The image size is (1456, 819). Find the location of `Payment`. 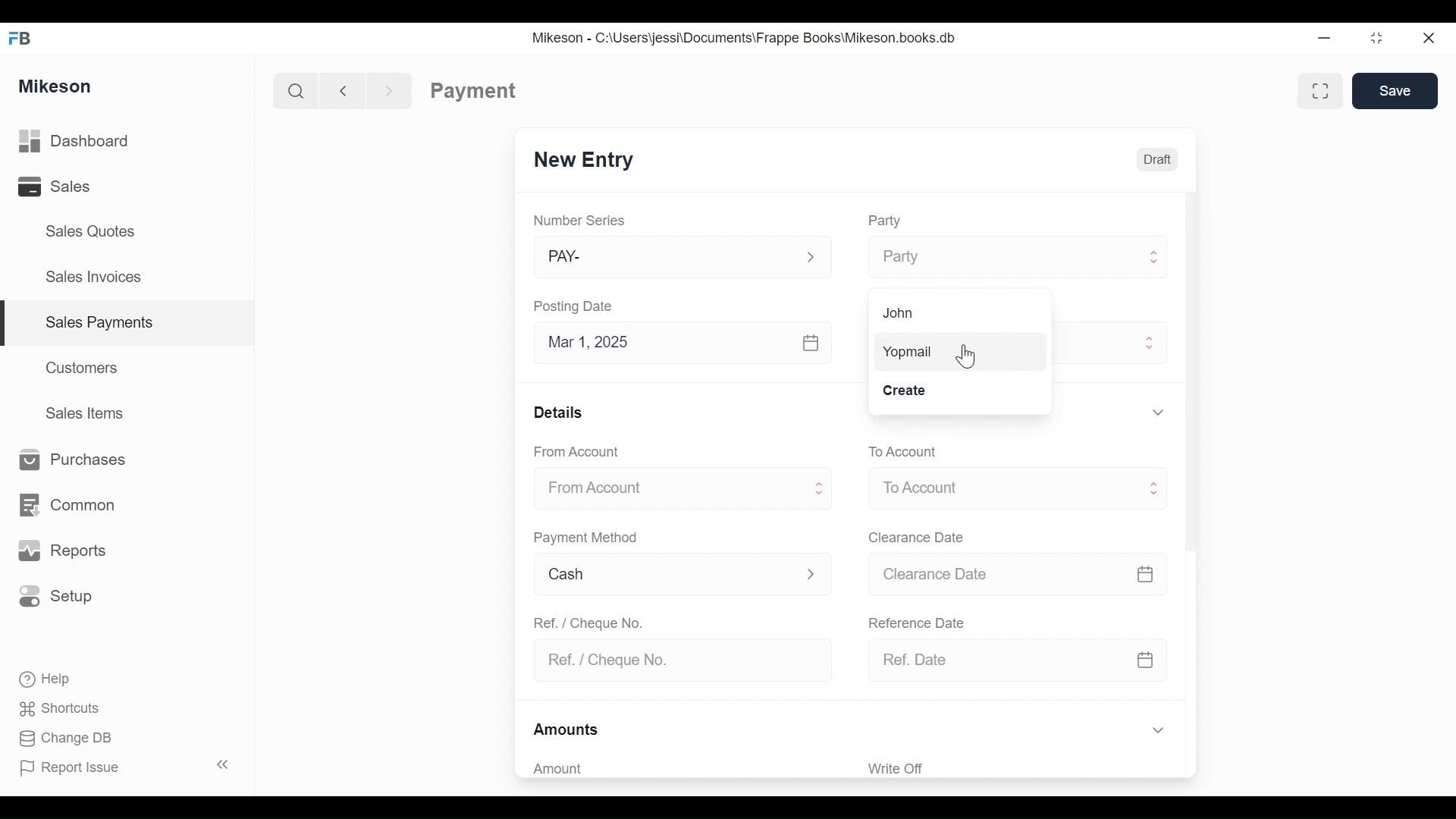

Payment is located at coordinates (472, 89).